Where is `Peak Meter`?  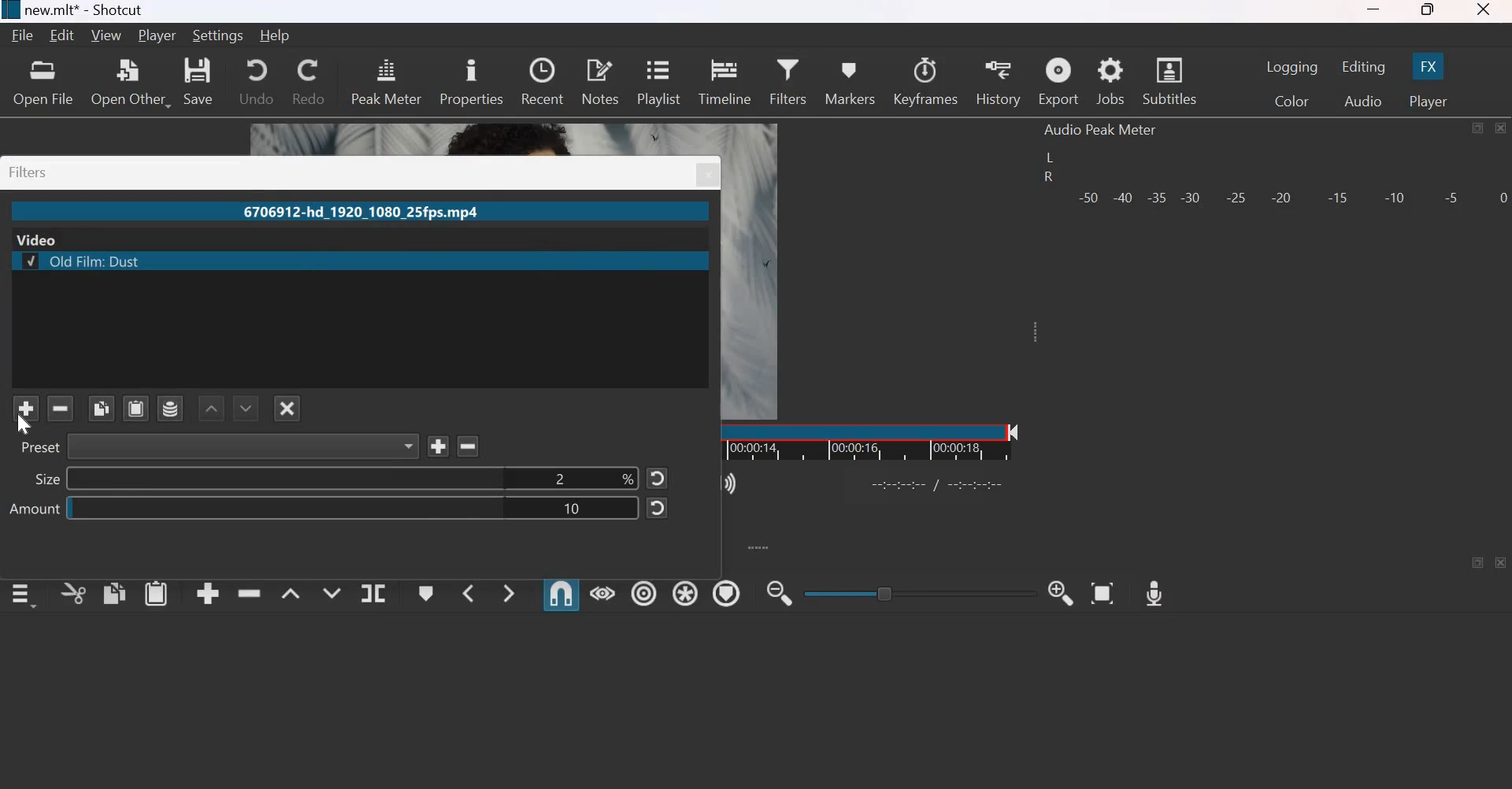 Peak Meter is located at coordinates (387, 80).